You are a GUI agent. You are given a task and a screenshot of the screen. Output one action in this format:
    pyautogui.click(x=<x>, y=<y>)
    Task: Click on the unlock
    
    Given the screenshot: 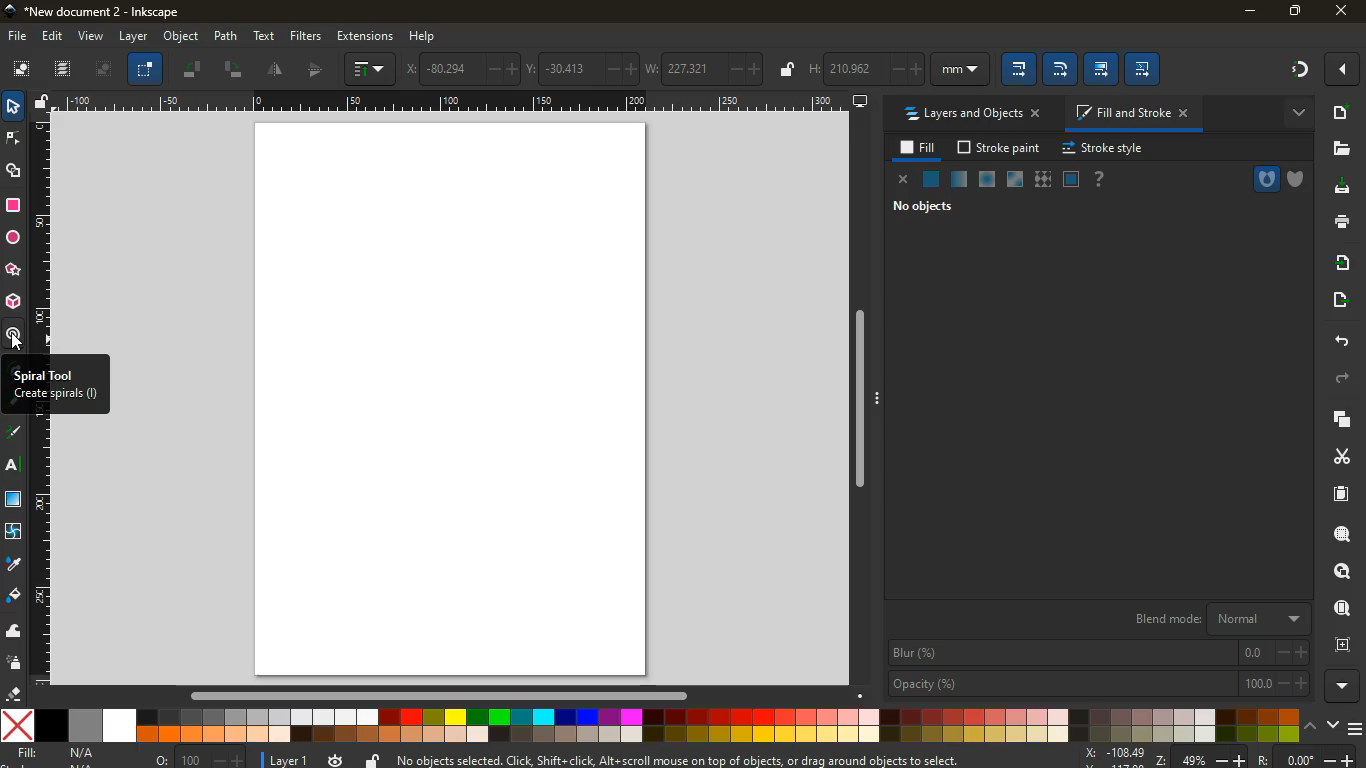 What is the action you would take?
    pyautogui.click(x=786, y=69)
    